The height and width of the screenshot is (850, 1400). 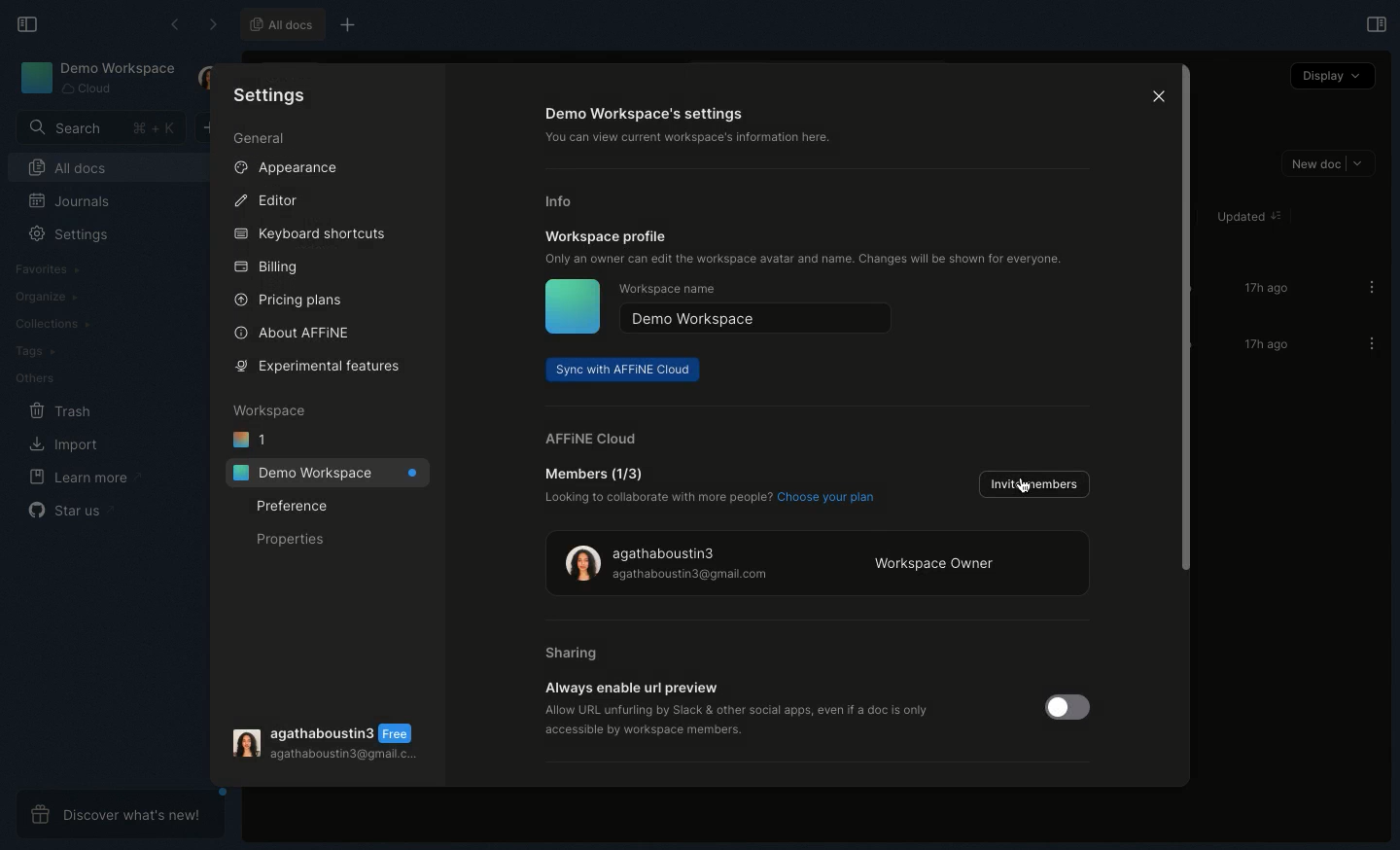 I want to click on Always enable url preview, so click(x=631, y=688).